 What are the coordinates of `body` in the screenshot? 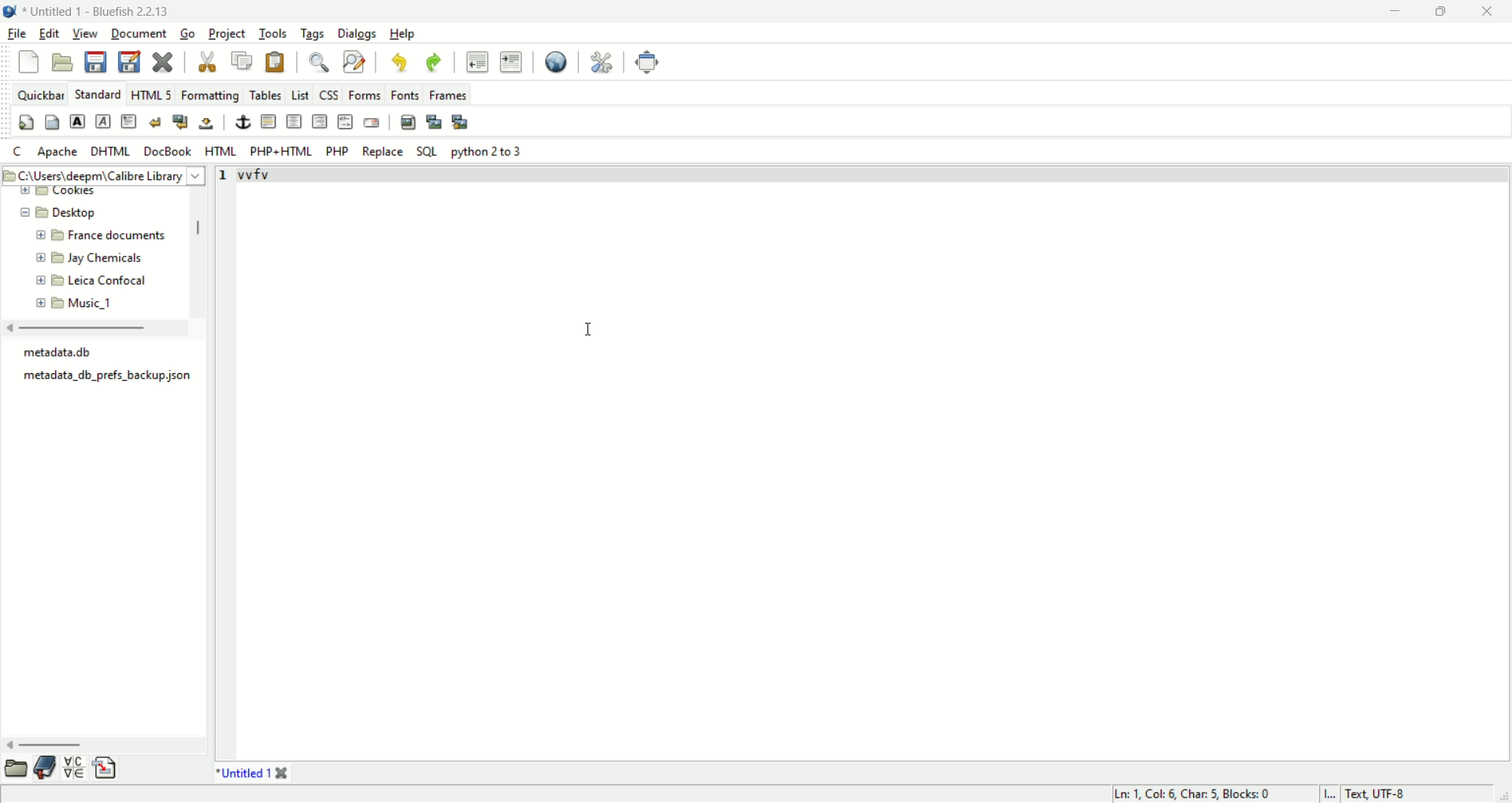 It's located at (52, 123).